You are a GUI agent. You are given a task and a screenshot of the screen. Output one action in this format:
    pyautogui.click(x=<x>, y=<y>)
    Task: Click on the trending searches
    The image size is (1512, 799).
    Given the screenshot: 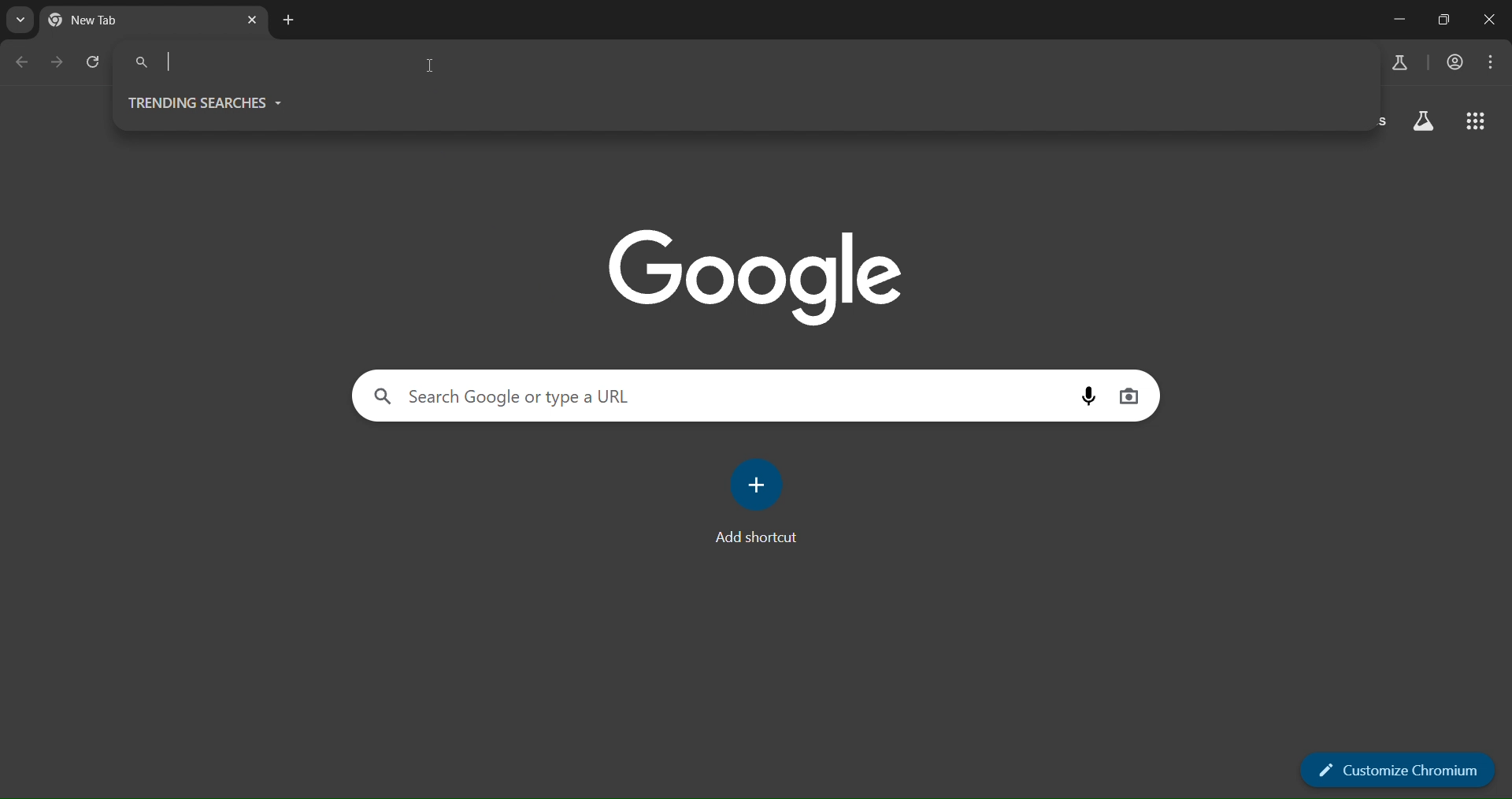 What is the action you would take?
    pyautogui.click(x=225, y=102)
    